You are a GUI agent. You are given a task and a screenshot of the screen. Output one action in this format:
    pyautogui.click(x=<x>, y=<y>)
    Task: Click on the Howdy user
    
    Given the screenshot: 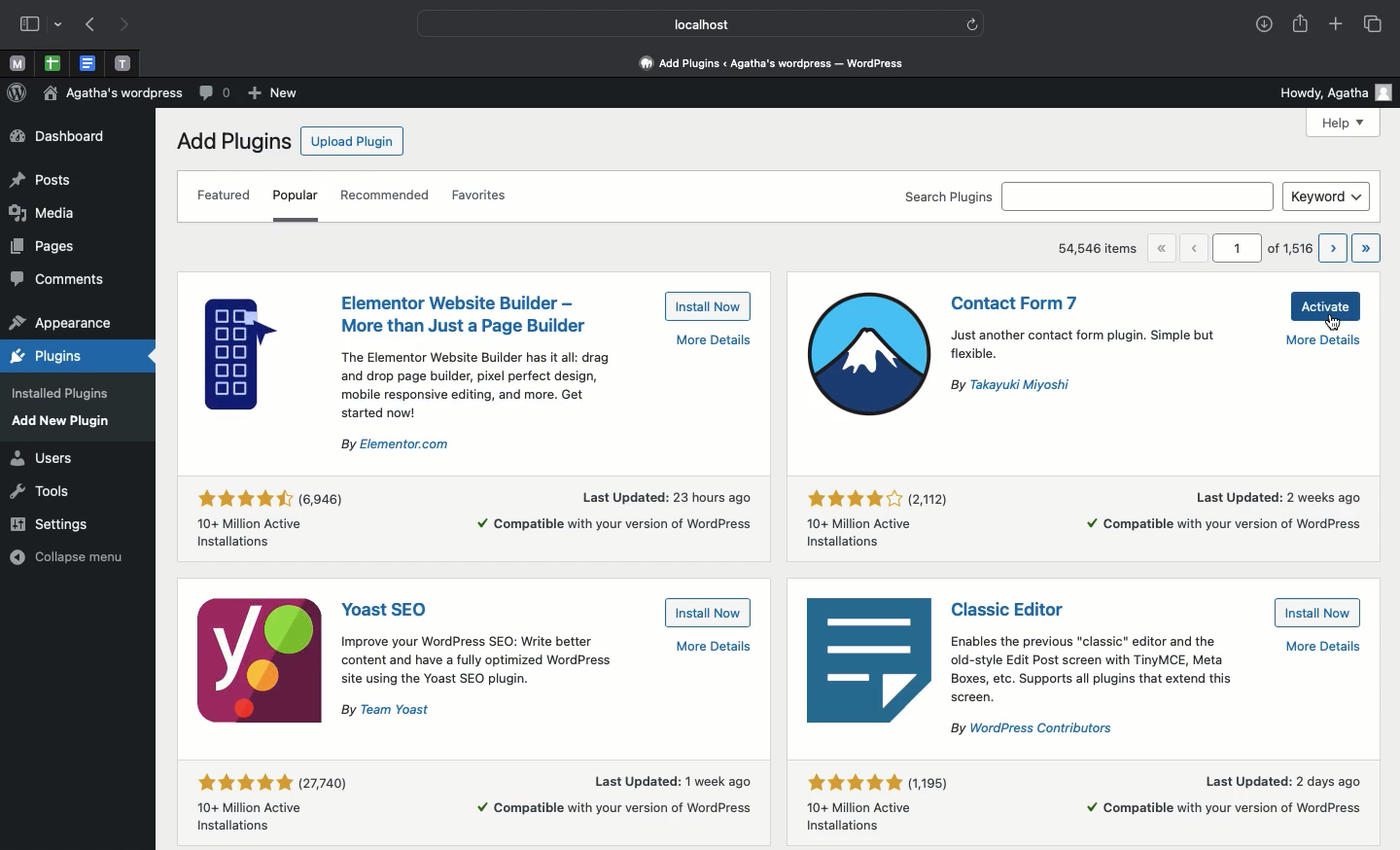 What is the action you would take?
    pyautogui.click(x=1335, y=90)
    